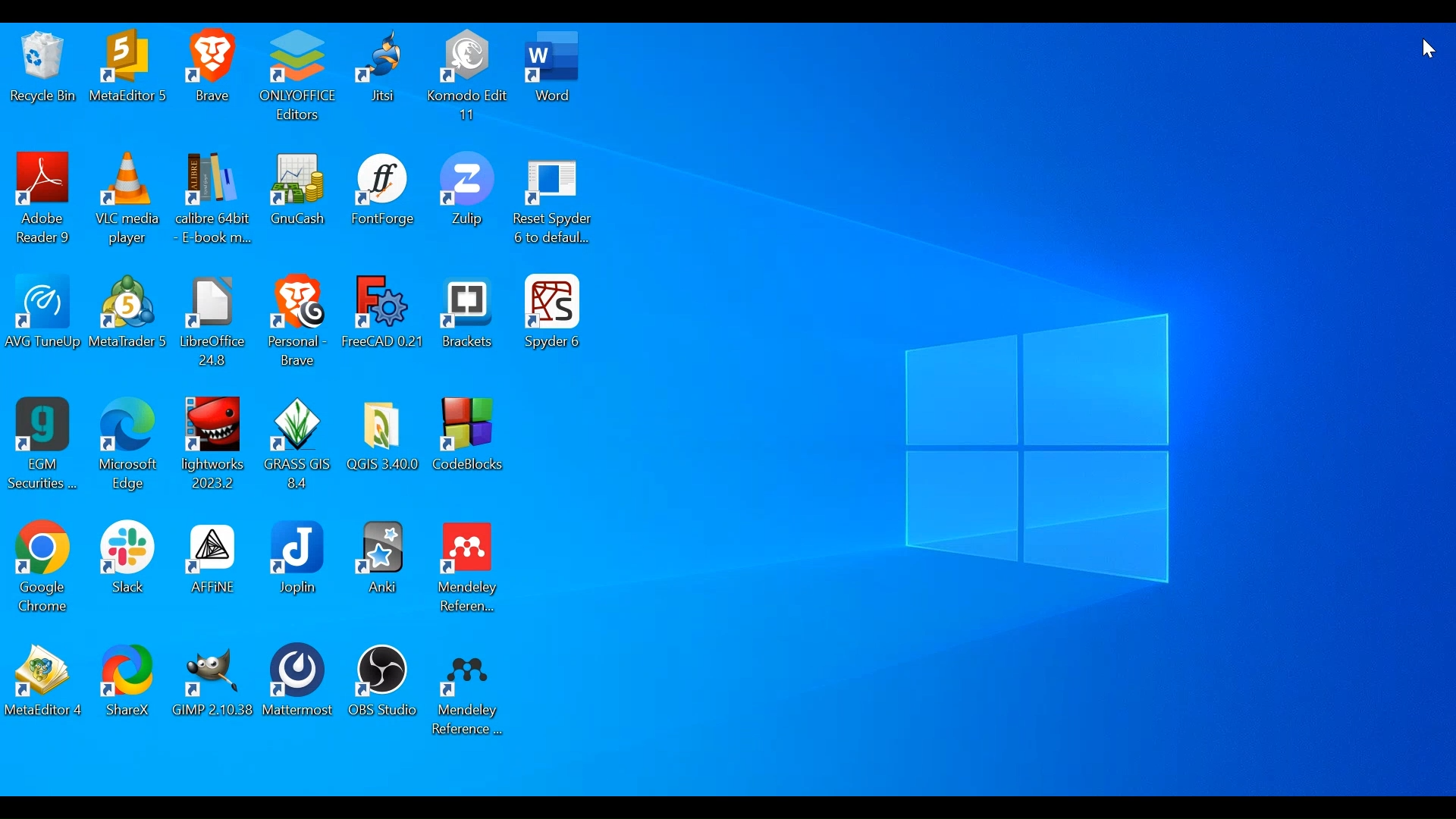 Image resolution: width=1456 pixels, height=819 pixels. Describe the element at coordinates (213, 201) in the screenshot. I see `Calibre 64bit- E-book m` at that location.